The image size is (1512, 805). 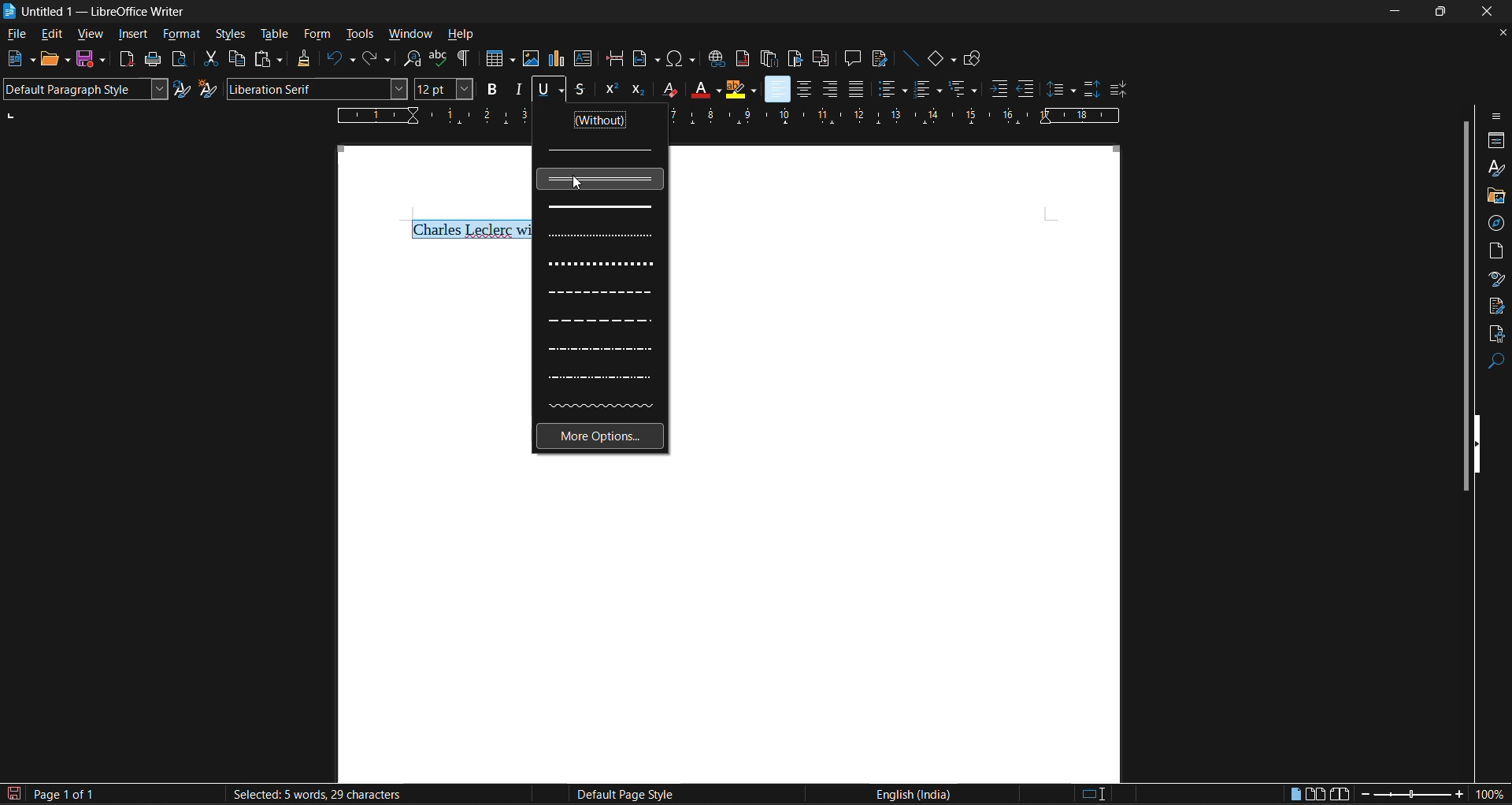 What do you see at coordinates (583, 58) in the screenshot?
I see `insert text box` at bounding box center [583, 58].